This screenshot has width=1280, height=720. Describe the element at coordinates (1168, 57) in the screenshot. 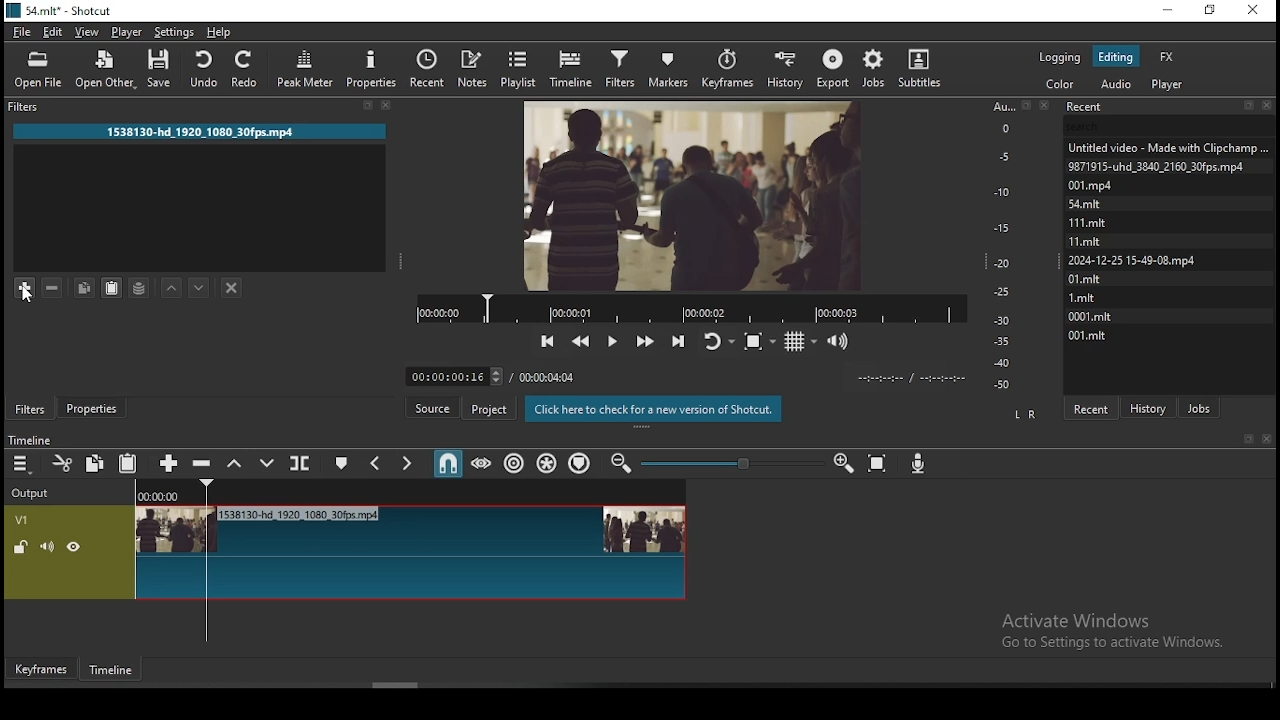

I see `fx` at that location.